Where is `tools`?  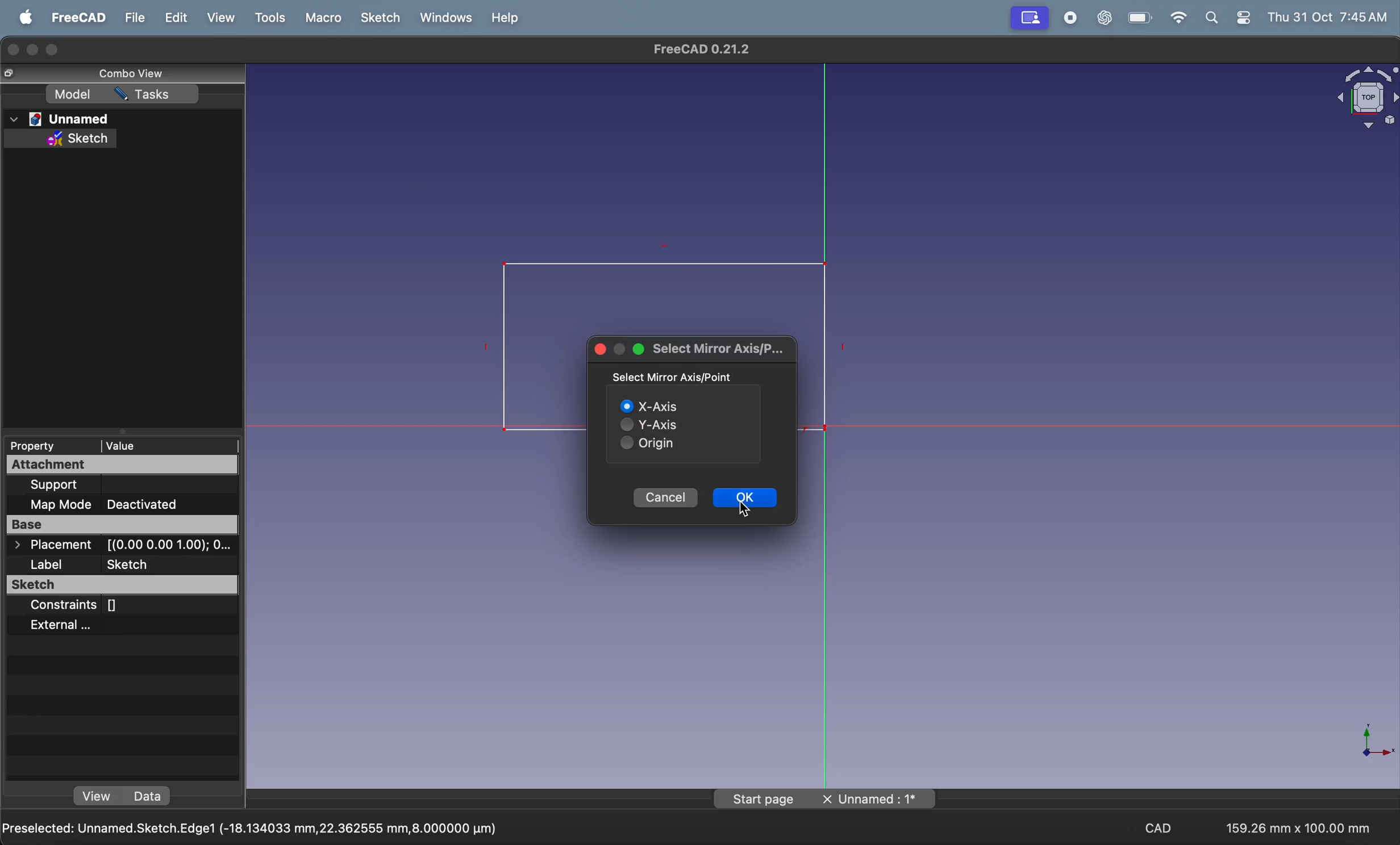 tools is located at coordinates (267, 19).